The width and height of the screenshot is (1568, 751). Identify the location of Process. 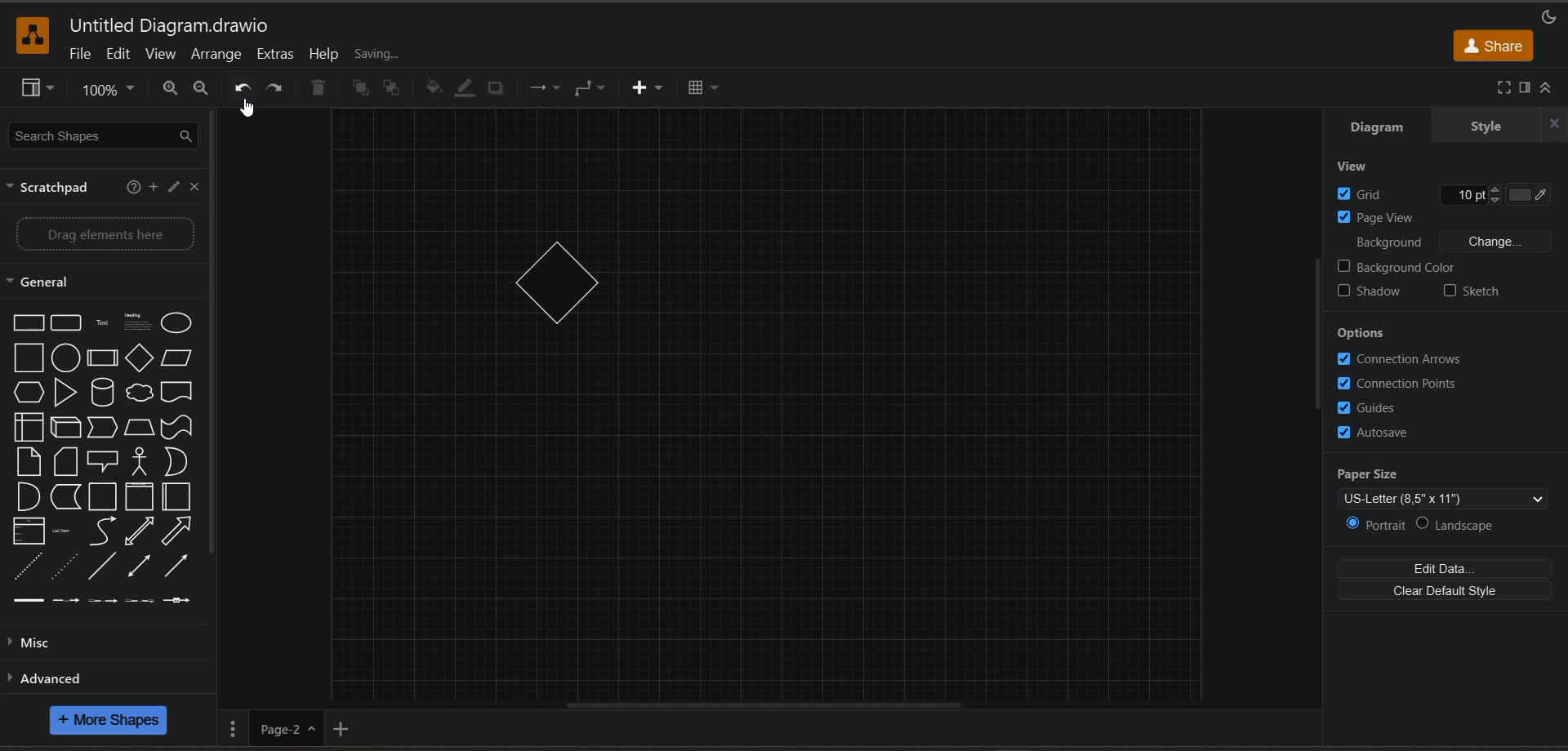
(102, 358).